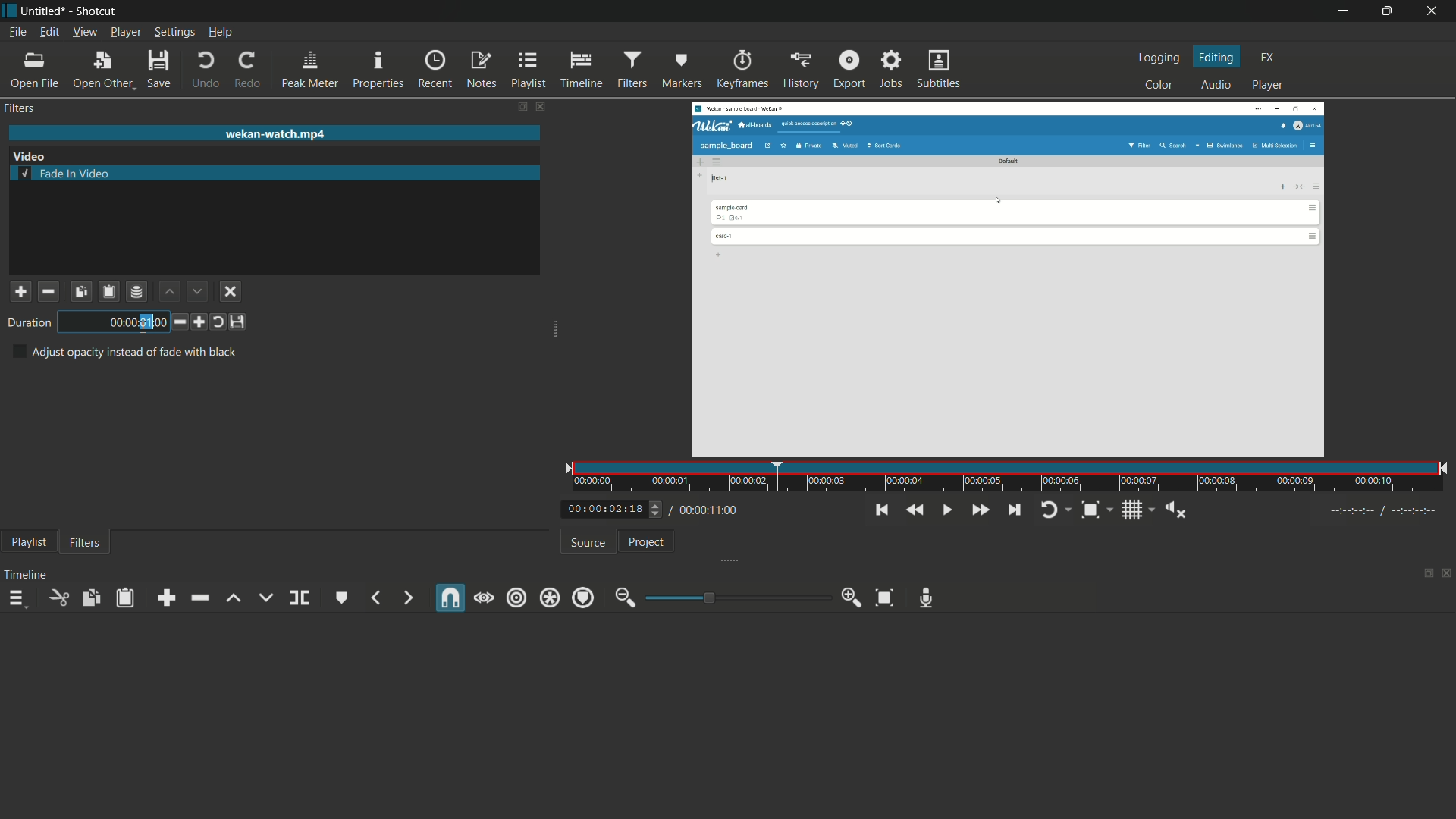 The height and width of the screenshot is (819, 1456). I want to click on export, so click(849, 69).